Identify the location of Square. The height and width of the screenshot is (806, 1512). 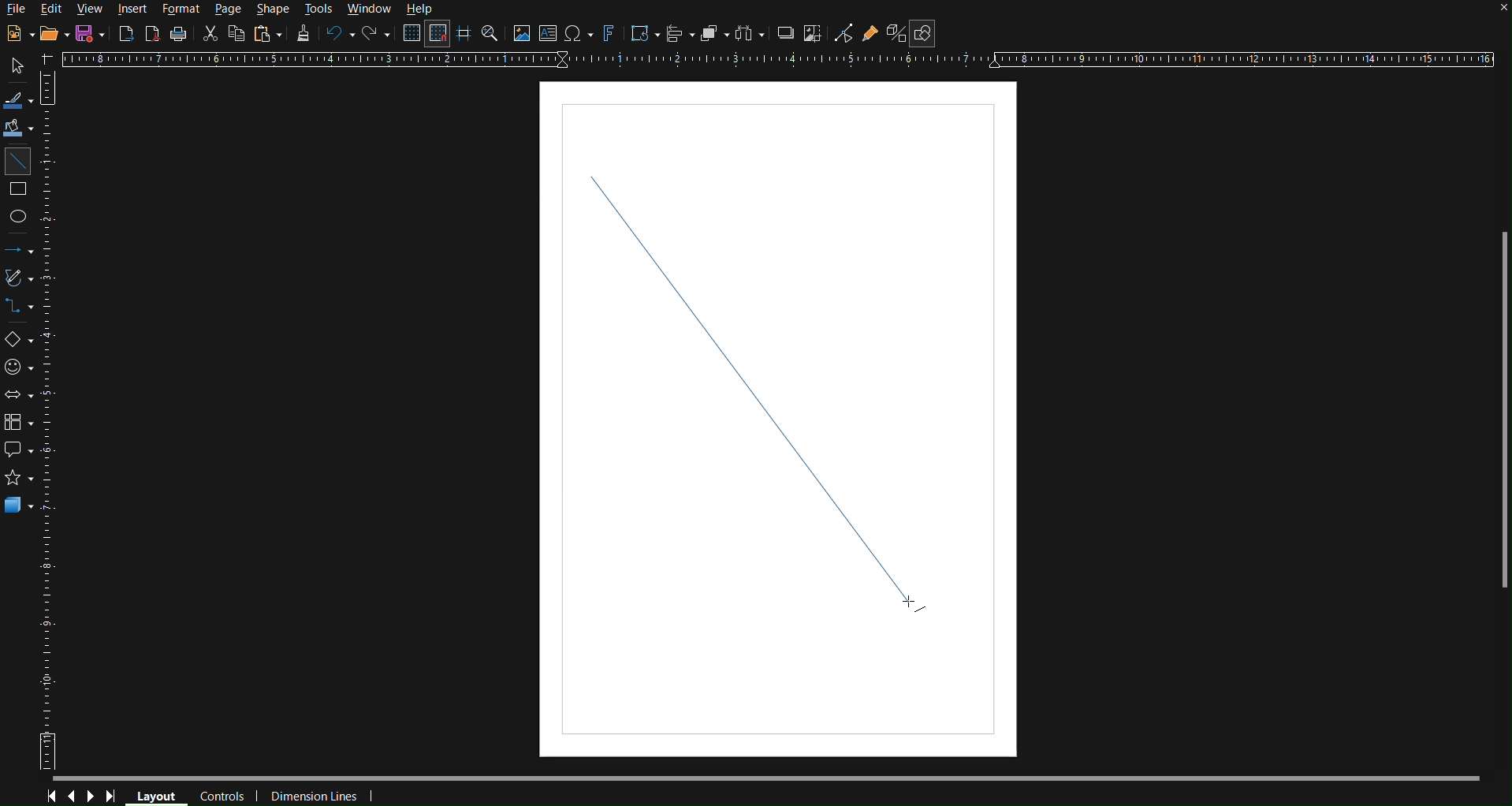
(19, 192).